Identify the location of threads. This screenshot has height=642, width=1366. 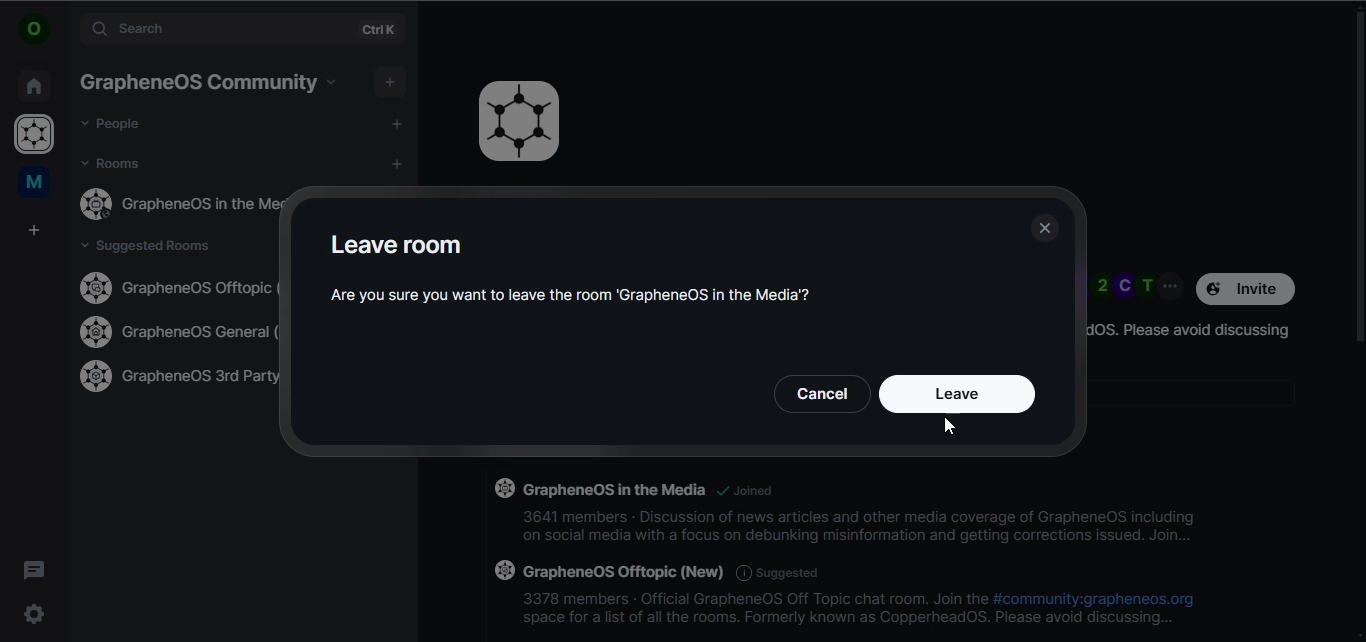
(34, 569).